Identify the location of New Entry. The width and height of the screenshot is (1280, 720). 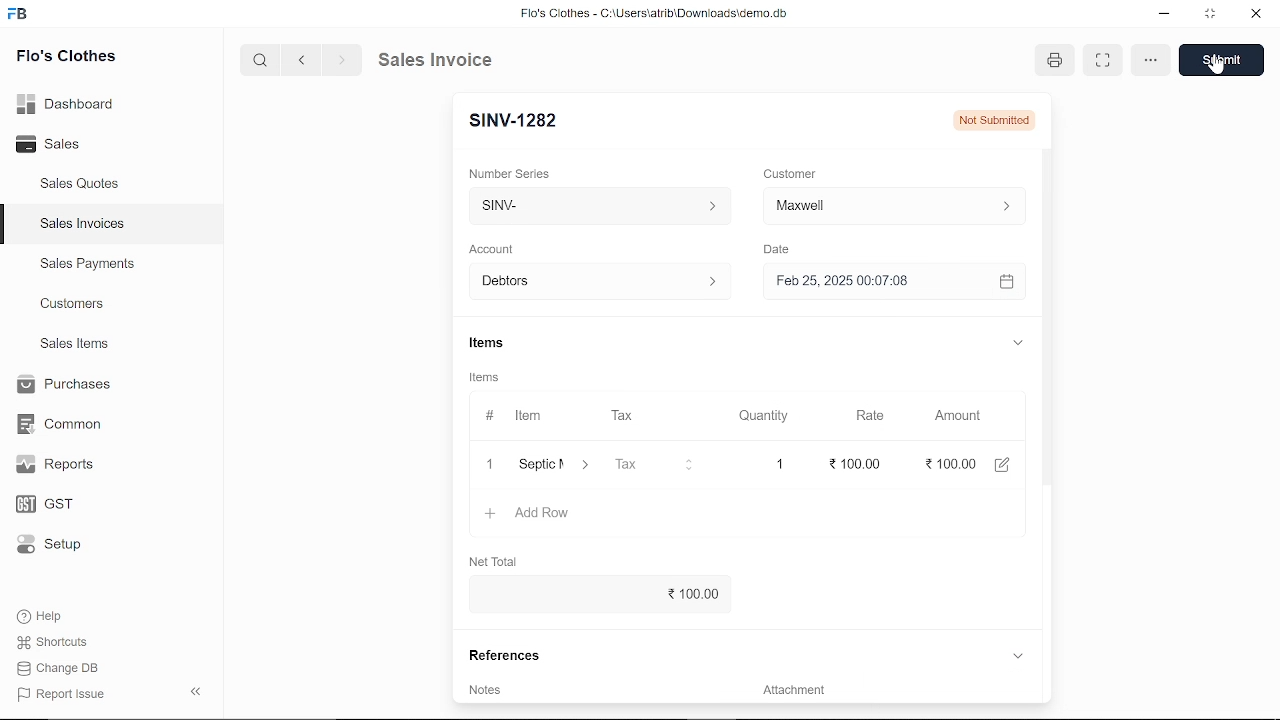
(515, 122).